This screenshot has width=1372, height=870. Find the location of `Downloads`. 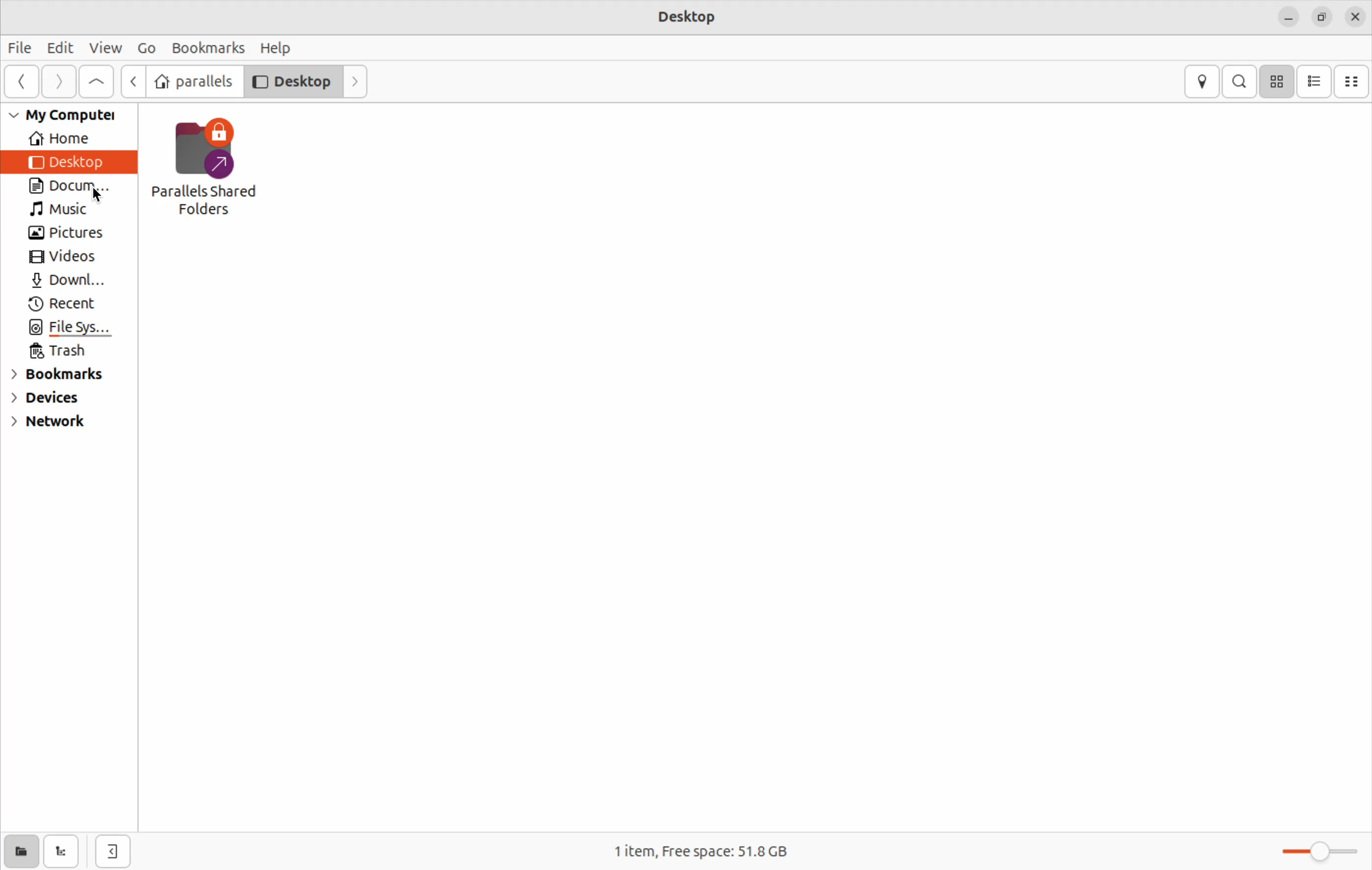

Downloads is located at coordinates (71, 283).